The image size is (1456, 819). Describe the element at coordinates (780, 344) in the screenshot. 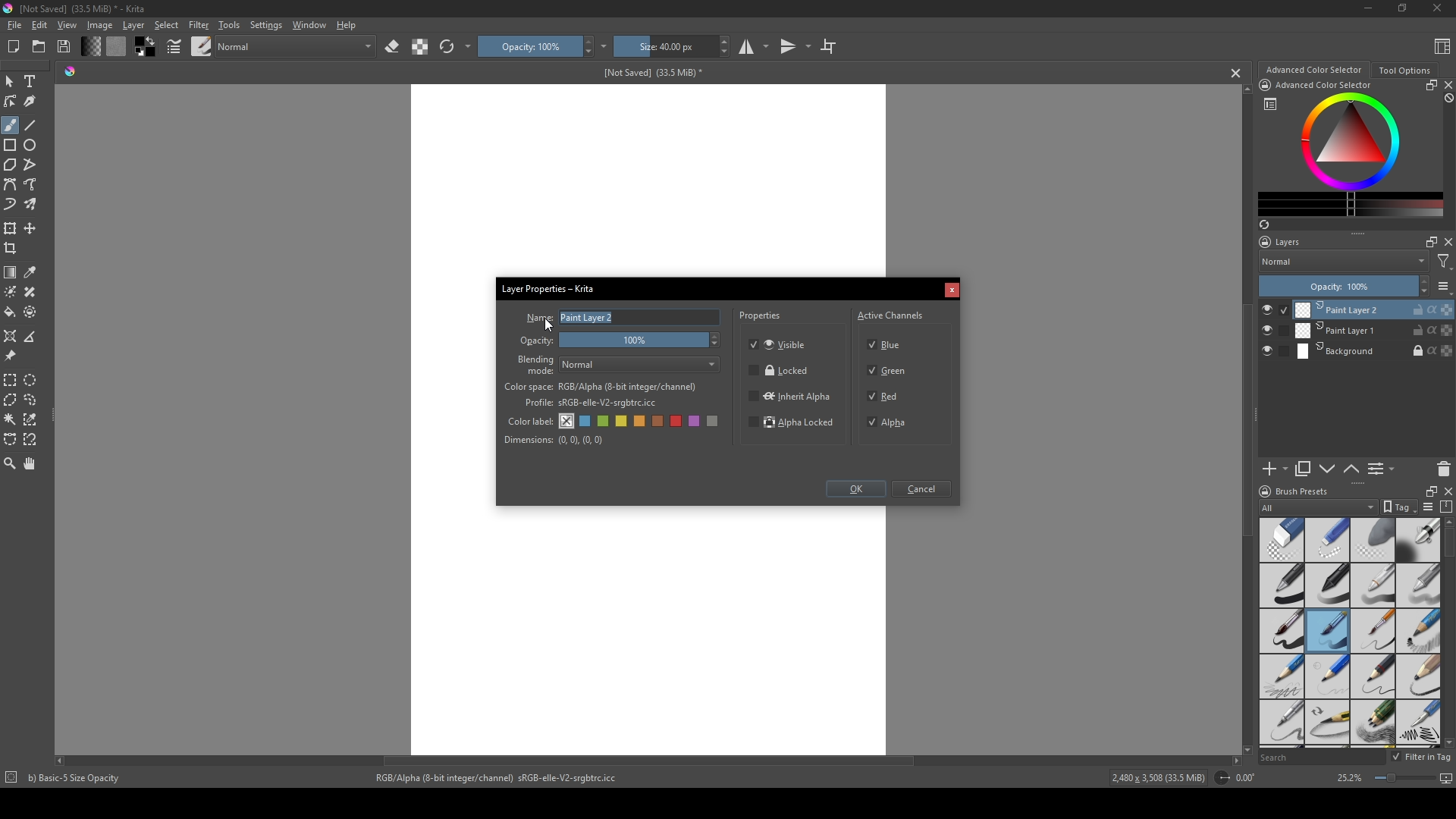

I see `Visible` at that location.